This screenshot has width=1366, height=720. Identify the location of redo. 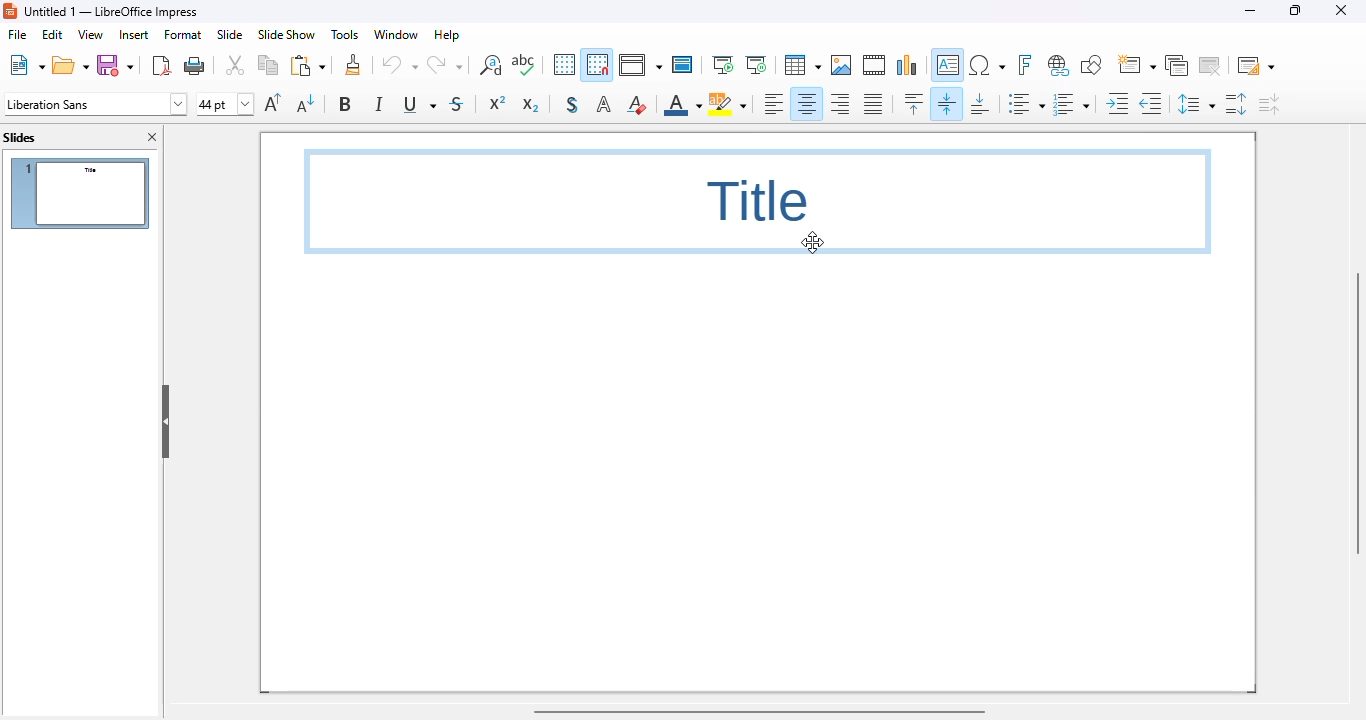
(445, 64).